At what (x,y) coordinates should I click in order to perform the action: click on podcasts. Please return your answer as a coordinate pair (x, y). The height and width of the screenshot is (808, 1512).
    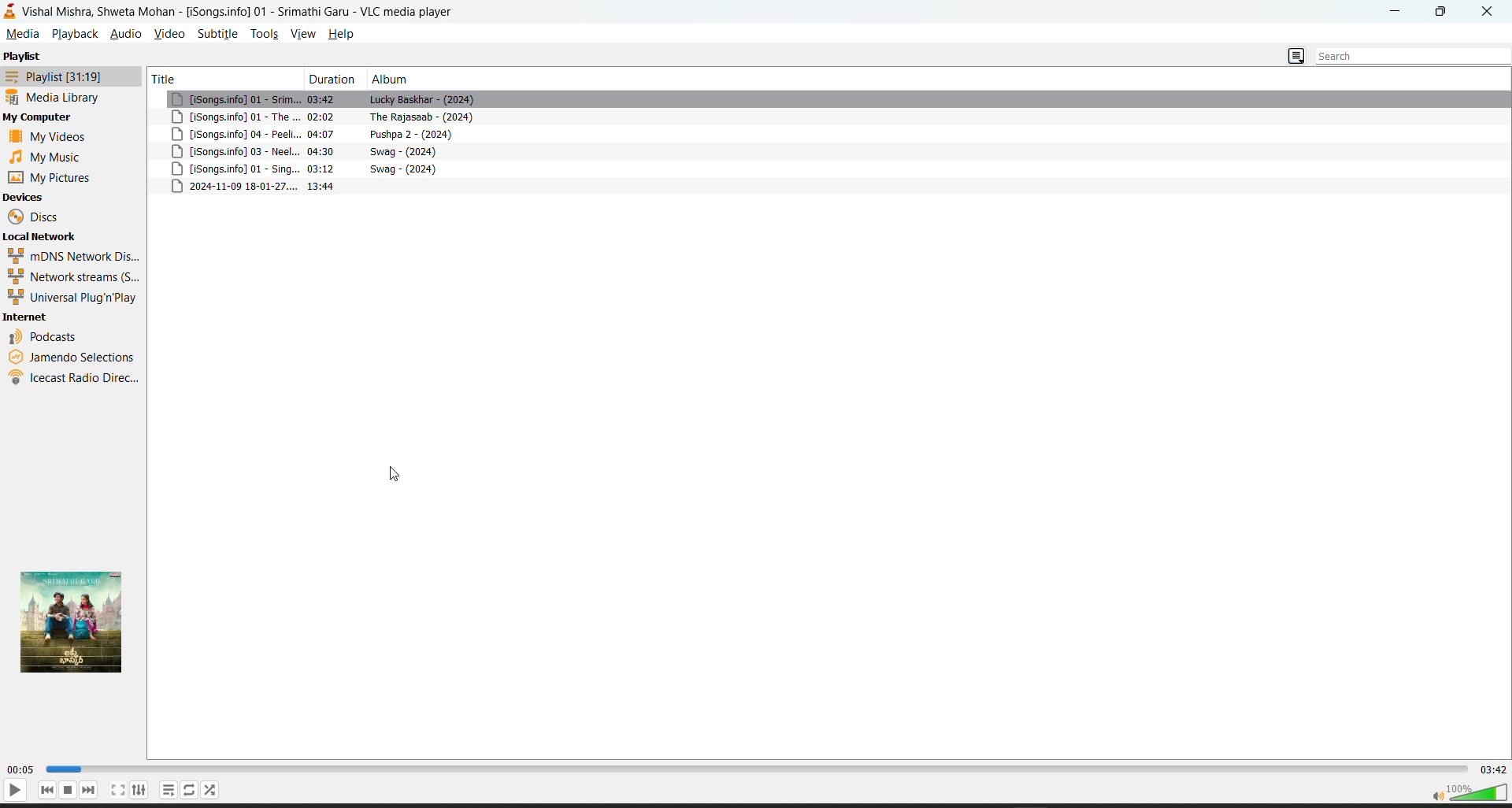
    Looking at the image, I should click on (55, 337).